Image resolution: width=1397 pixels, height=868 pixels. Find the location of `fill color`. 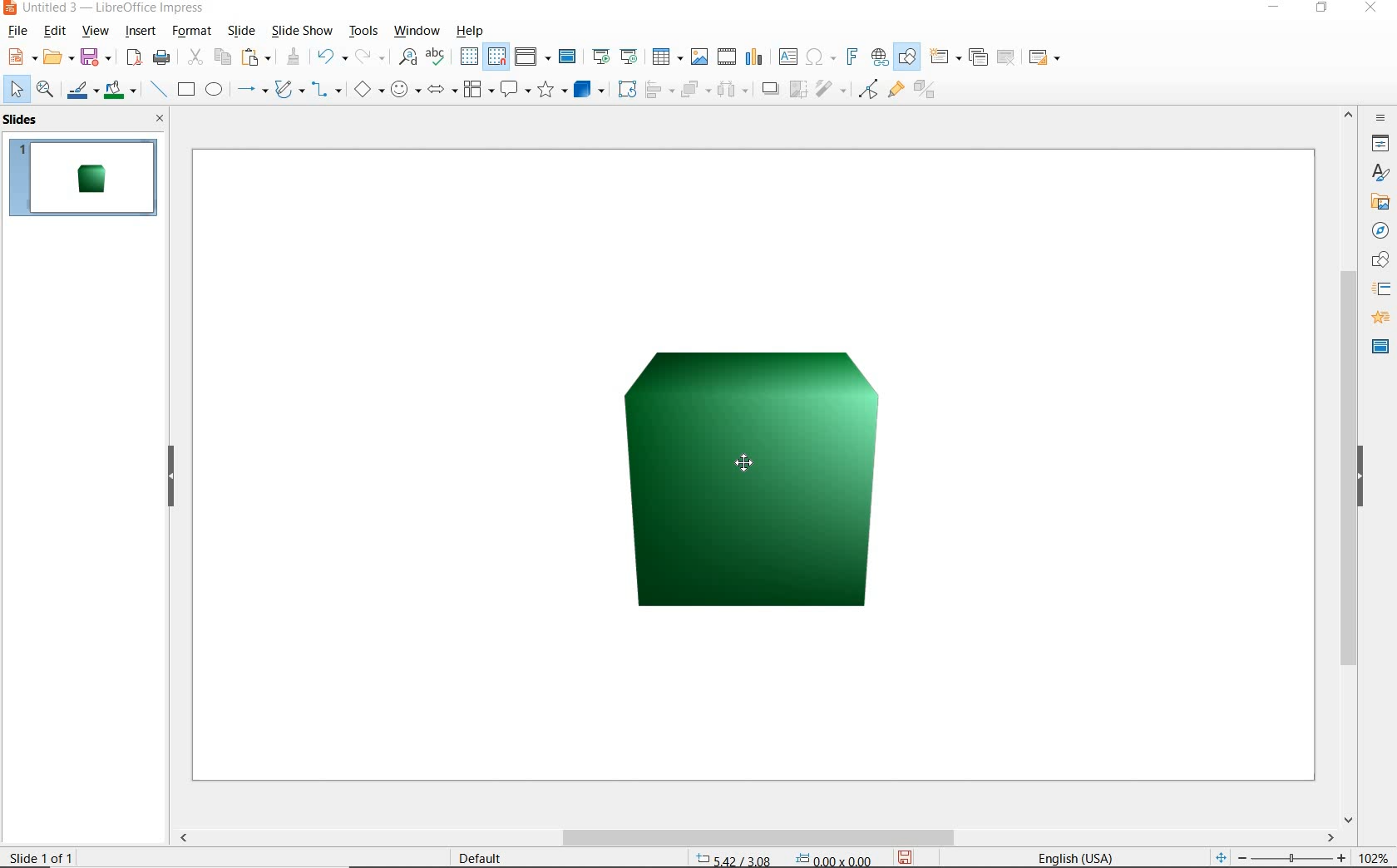

fill color is located at coordinates (121, 91).